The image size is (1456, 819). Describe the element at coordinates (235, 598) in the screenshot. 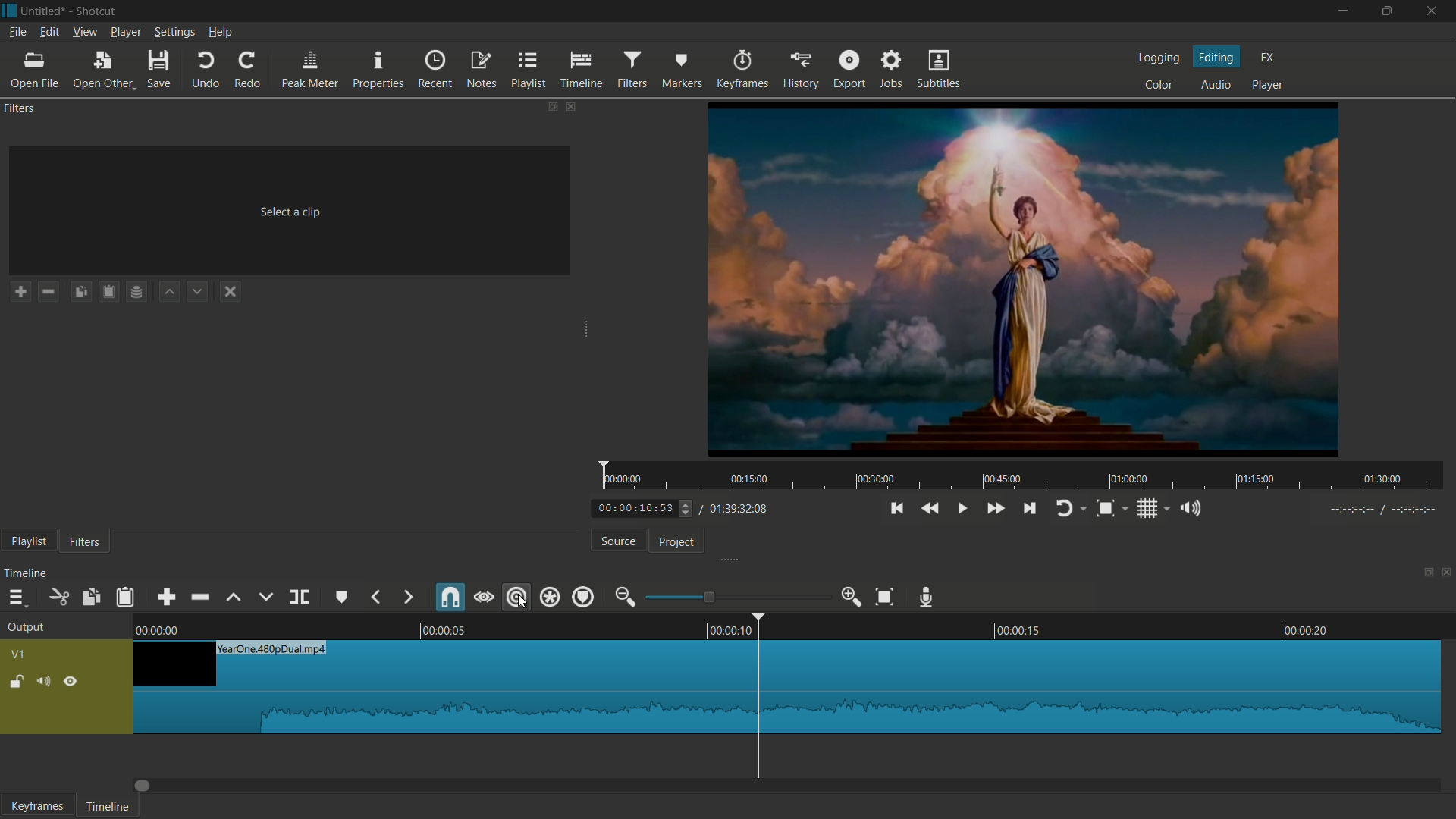

I see `lift` at that location.